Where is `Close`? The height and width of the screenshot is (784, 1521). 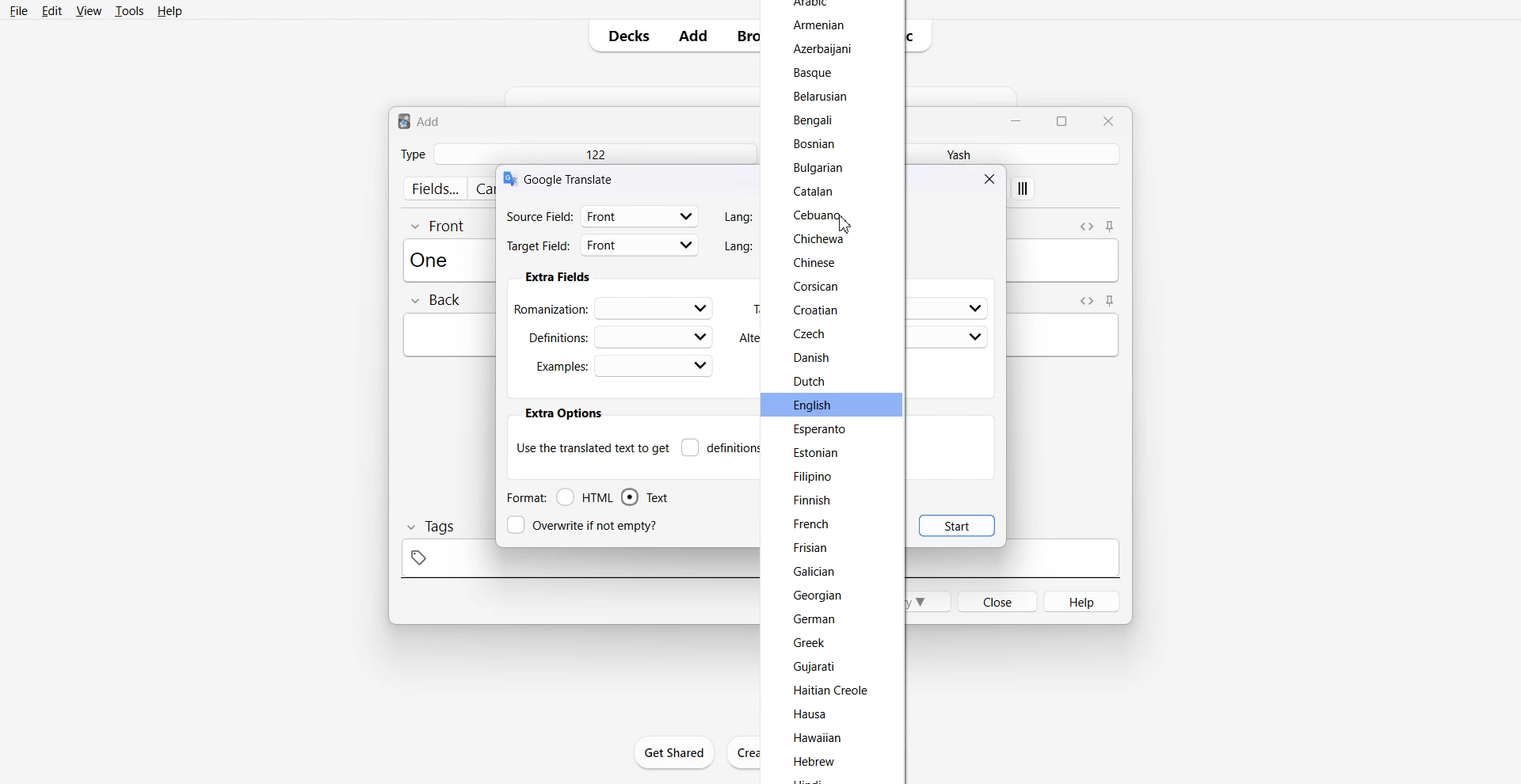 Close is located at coordinates (997, 600).